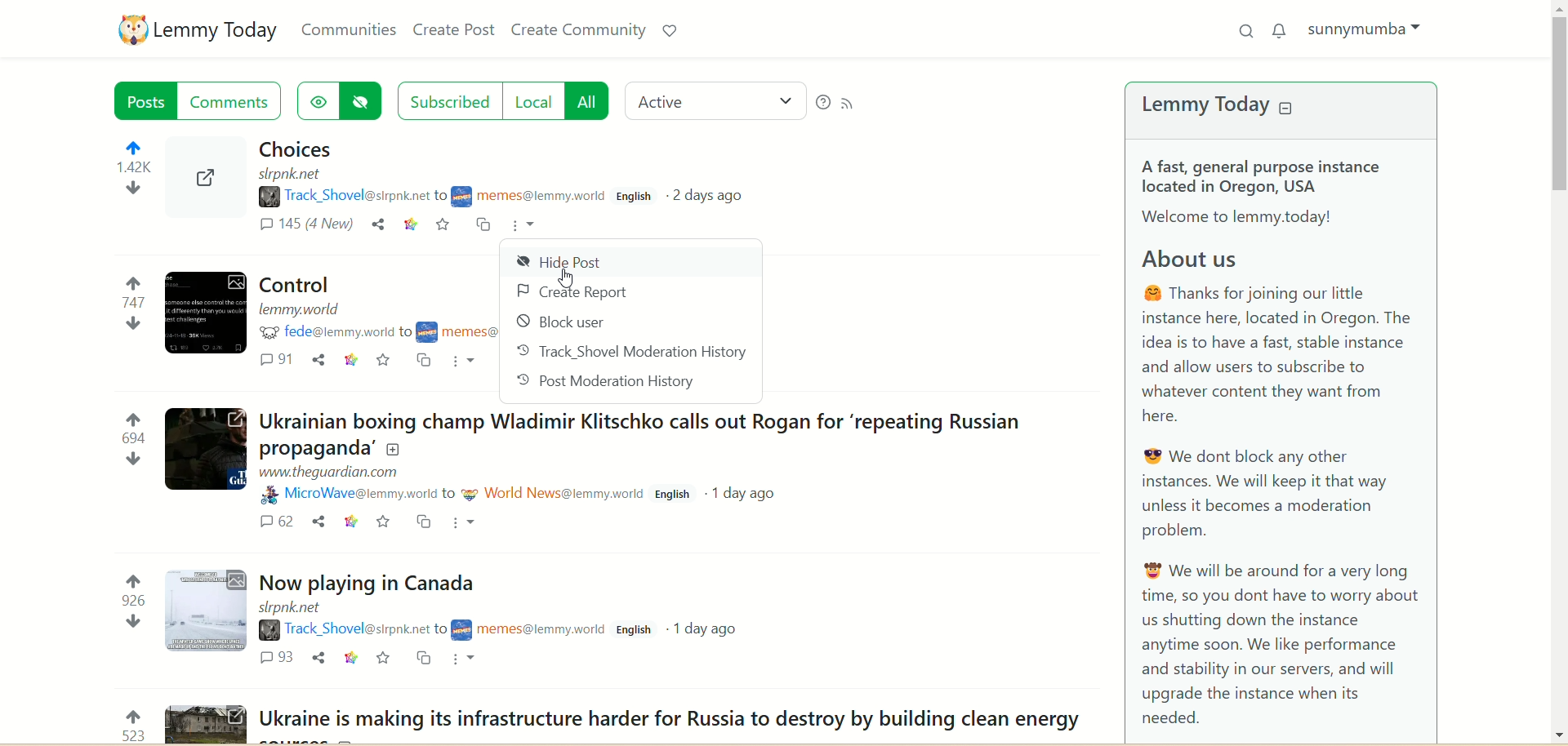 The width and height of the screenshot is (1568, 746). Describe the element at coordinates (467, 525) in the screenshot. I see `More` at that location.